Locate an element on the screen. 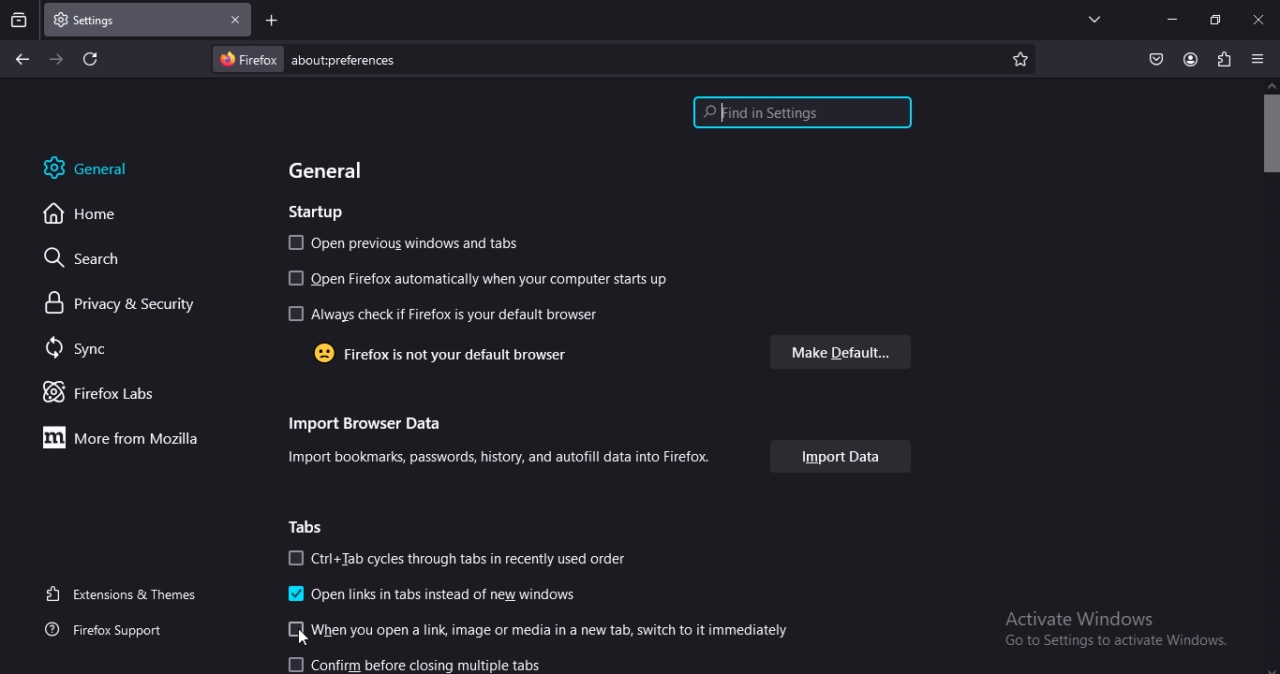  privacy & security is located at coordinates (123, 304).